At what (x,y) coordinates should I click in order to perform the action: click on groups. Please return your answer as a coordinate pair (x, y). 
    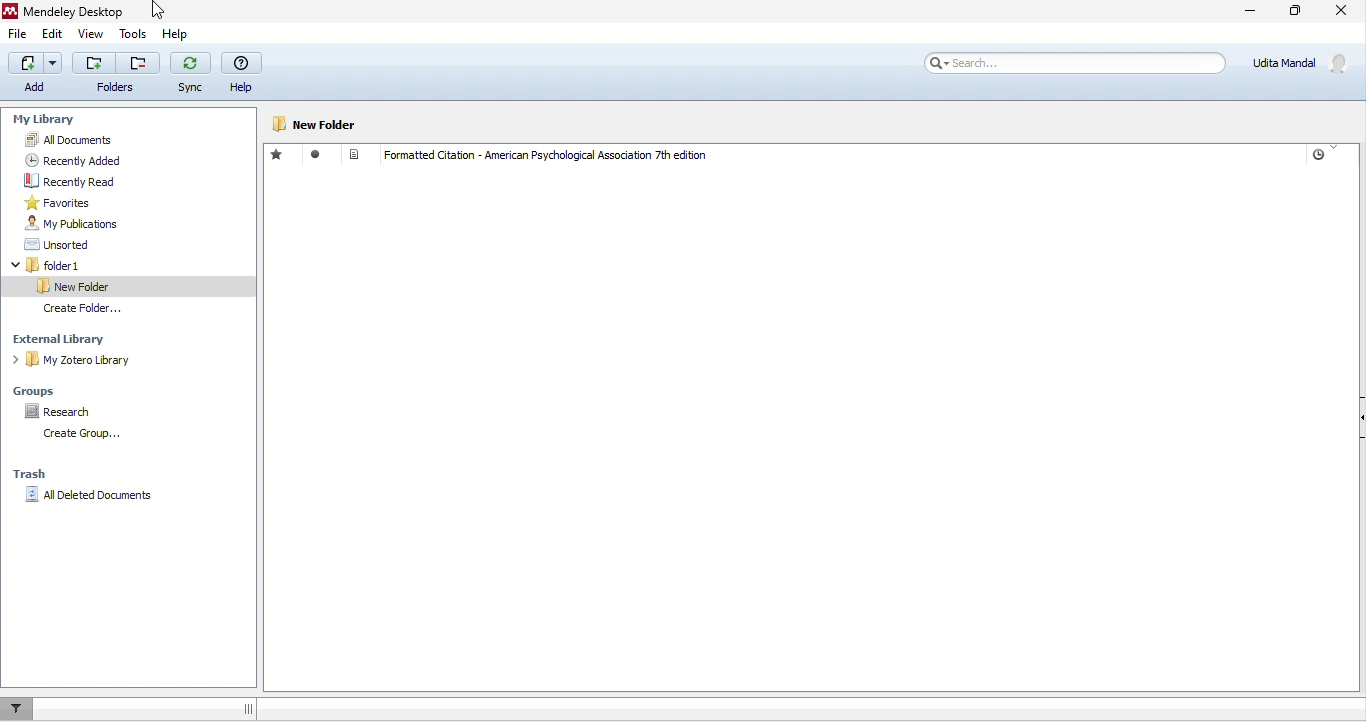
    Looking at the image, I should click on (59, 391).